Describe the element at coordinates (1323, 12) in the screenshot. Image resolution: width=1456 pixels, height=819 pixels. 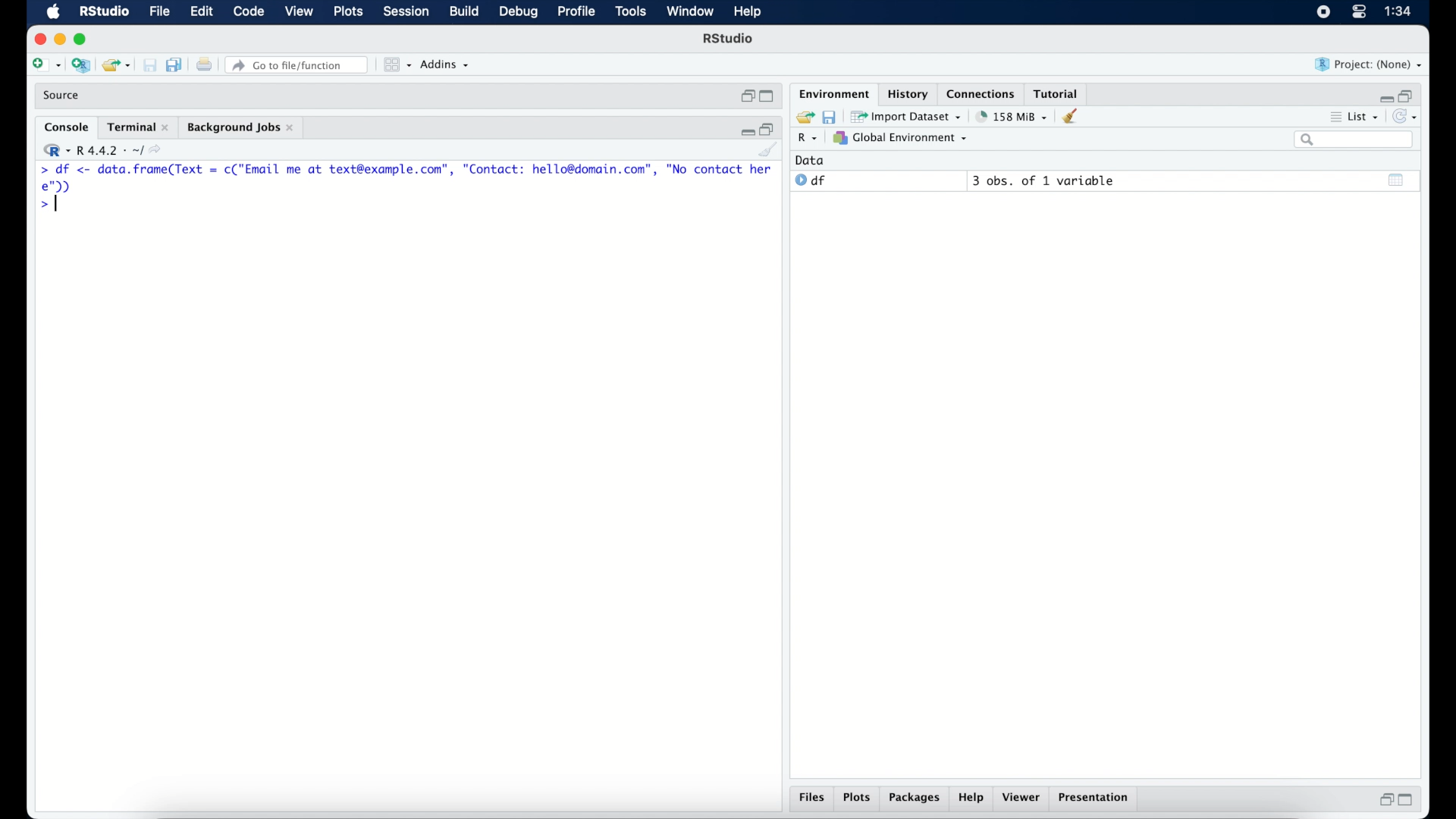
I see `screen recorder icon` at that location.